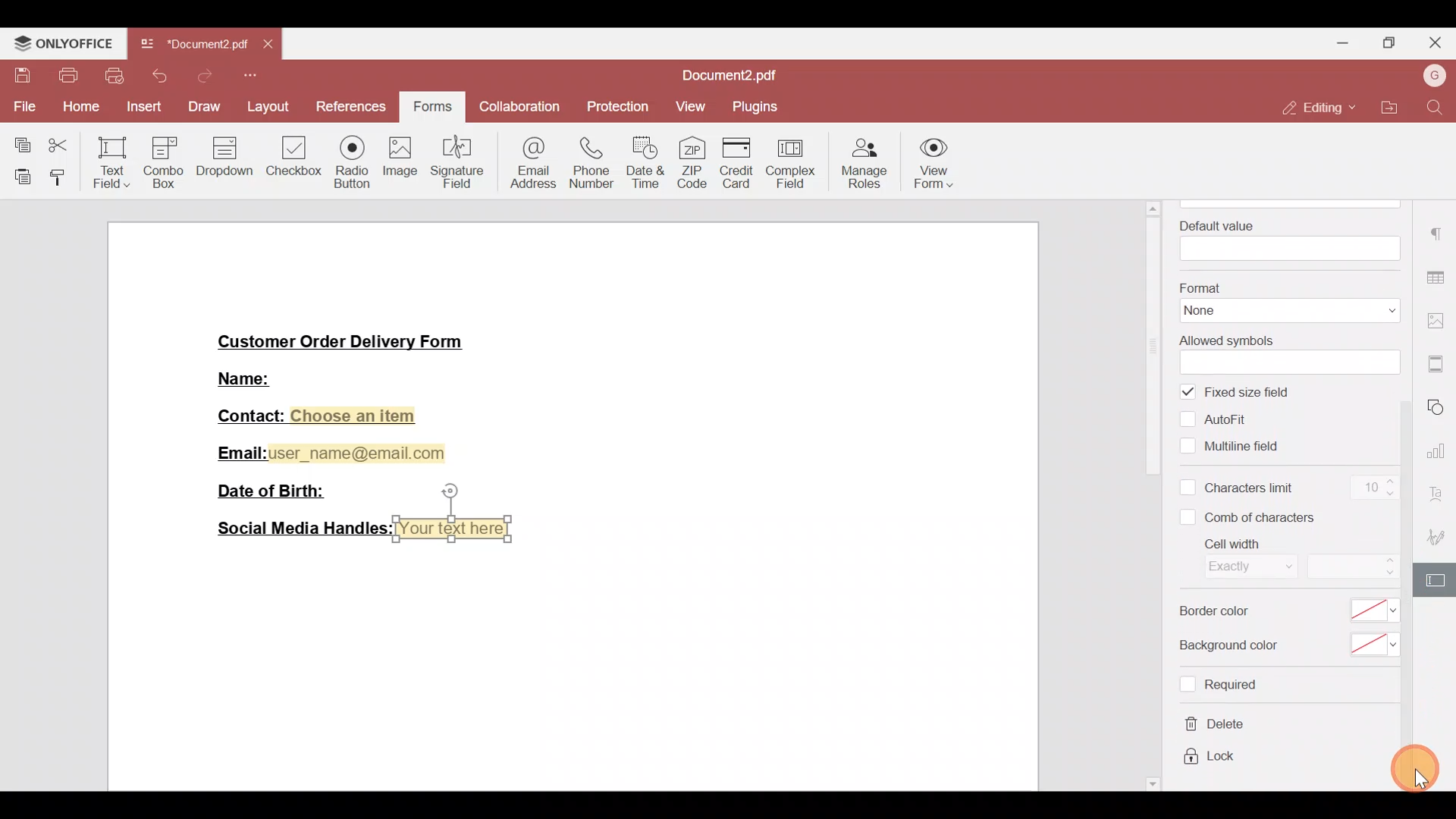  I want to click on Working area, so click(568, 667).